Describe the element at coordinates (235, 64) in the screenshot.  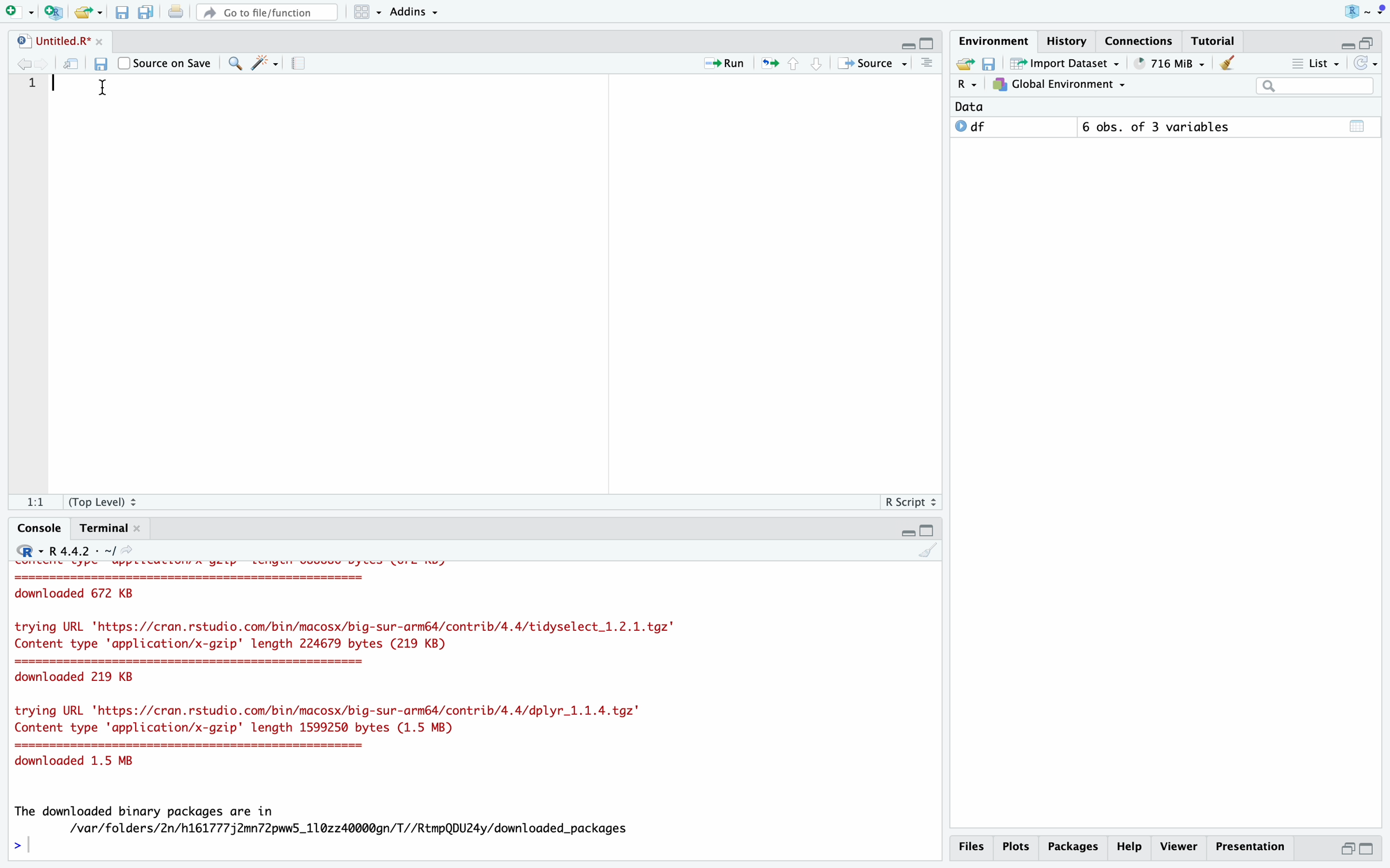
I see `Find/Replace` at that location.